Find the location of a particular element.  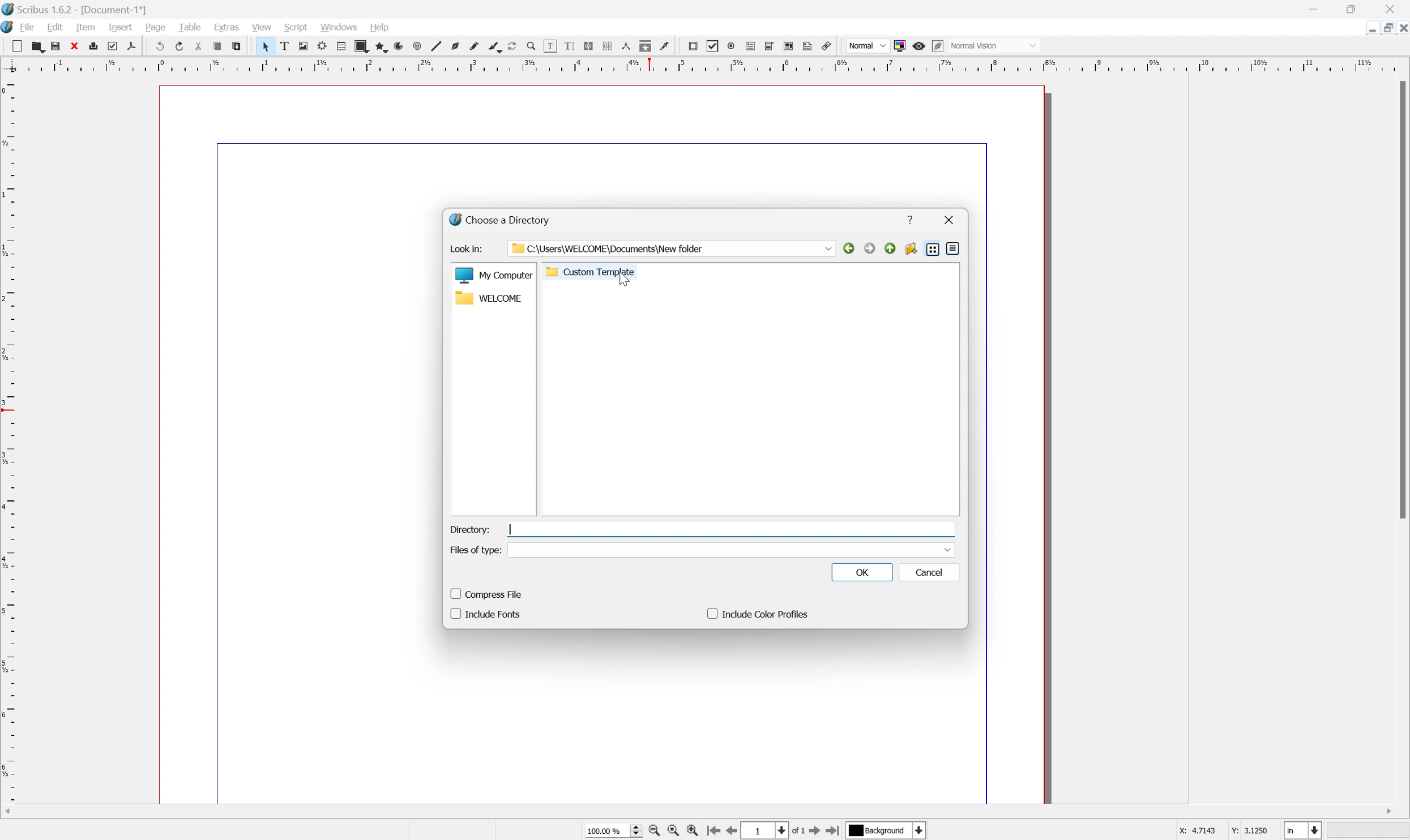

Cursor is located at coordinates (625, 278).